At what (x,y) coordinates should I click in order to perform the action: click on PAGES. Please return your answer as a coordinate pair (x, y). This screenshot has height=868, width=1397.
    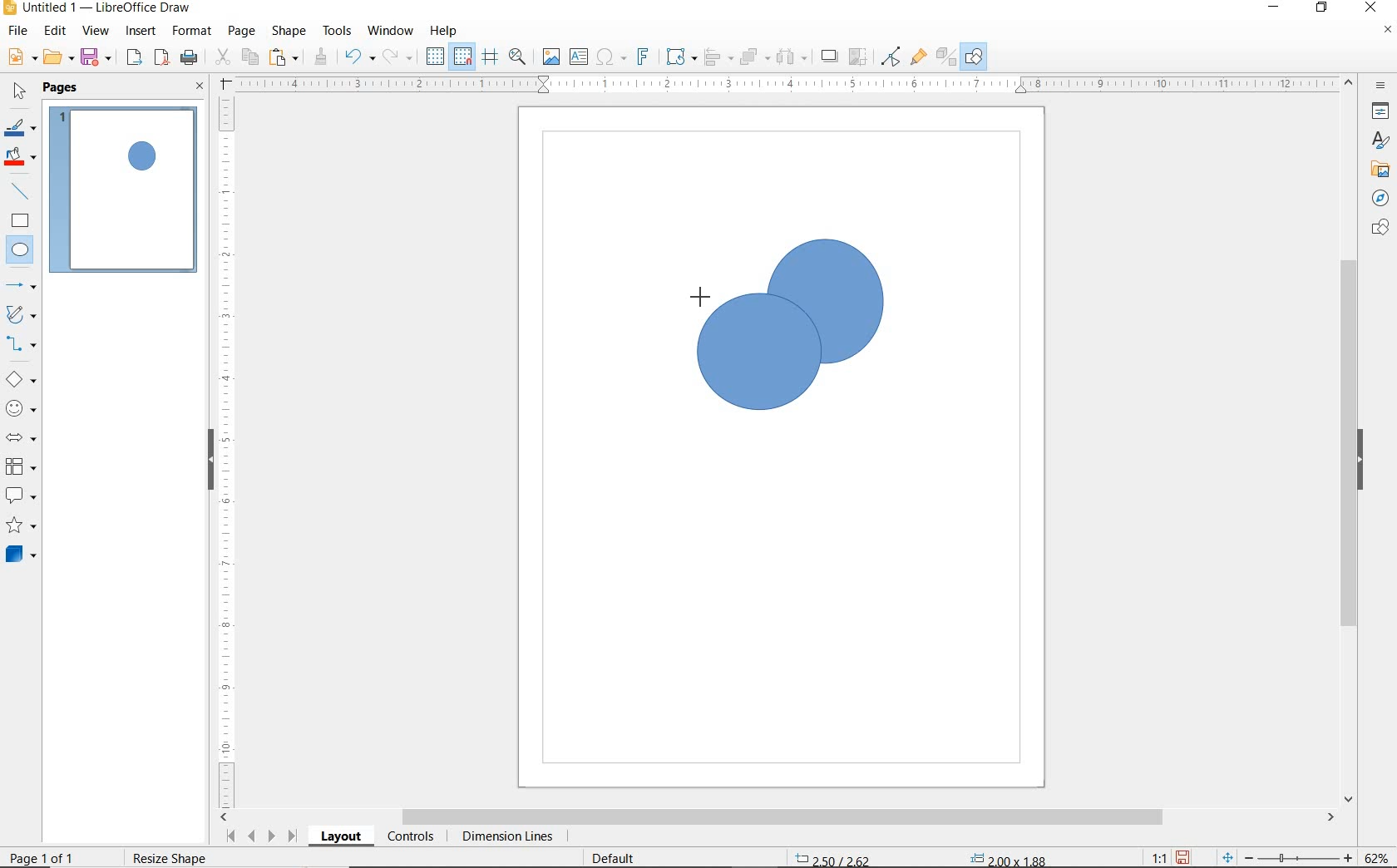
    Looking at the image, I should click on (62, 87).